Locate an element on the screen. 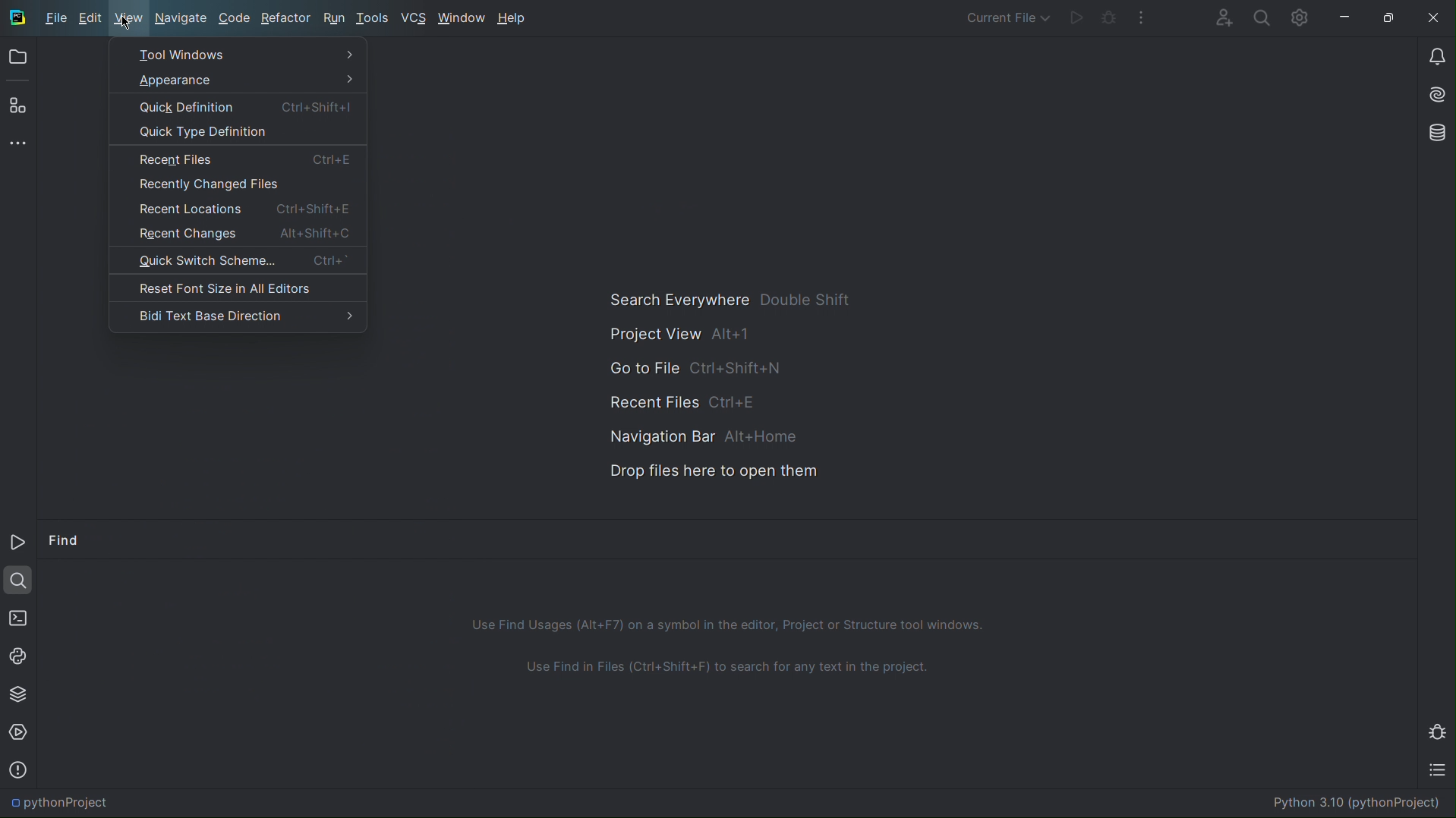 This screenshot has height=818, width=1456. Navigation Bar is located at coordinates (691, 434).